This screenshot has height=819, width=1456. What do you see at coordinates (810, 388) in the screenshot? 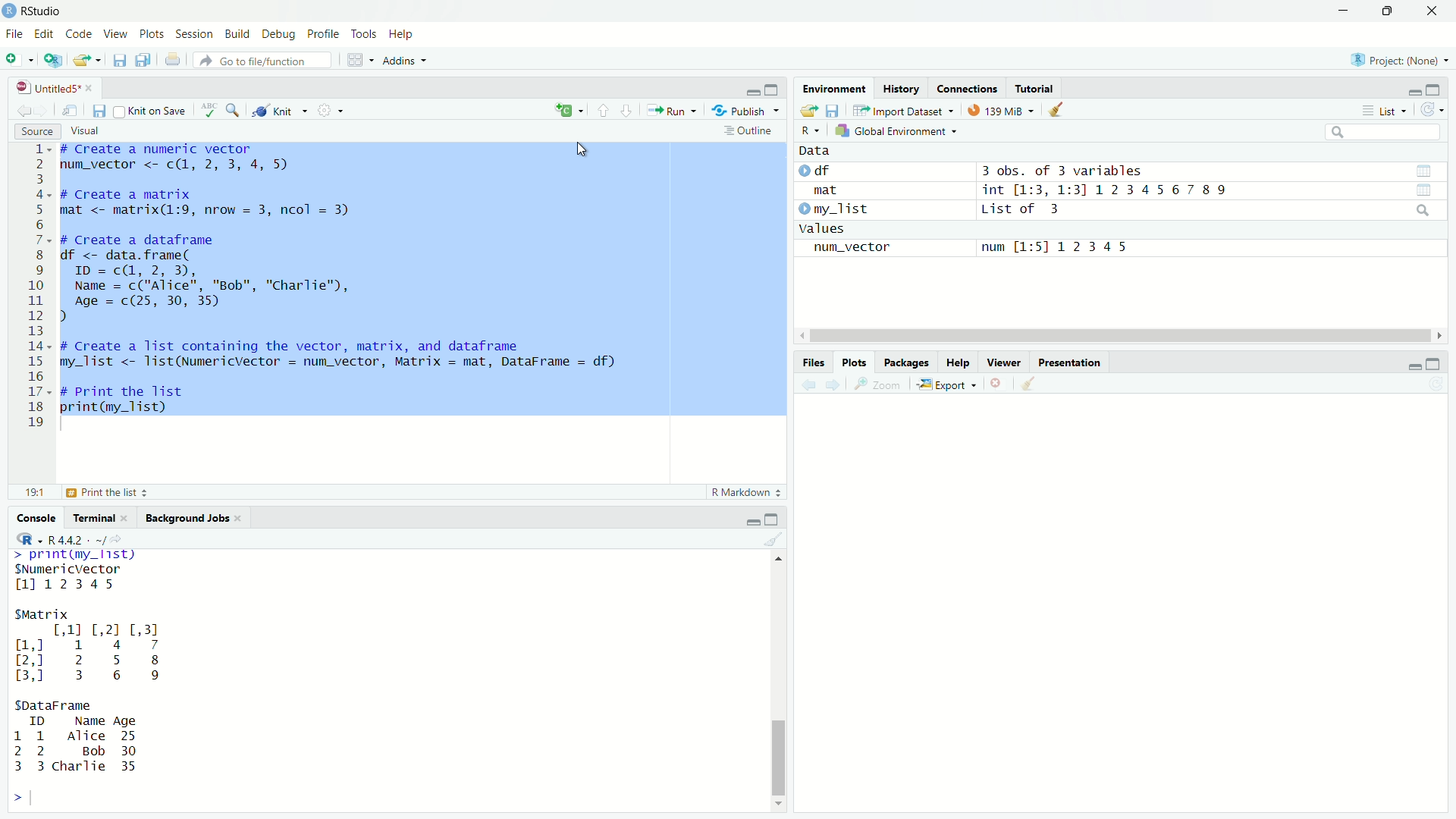
I see `back` at bounding box center [810, 388].